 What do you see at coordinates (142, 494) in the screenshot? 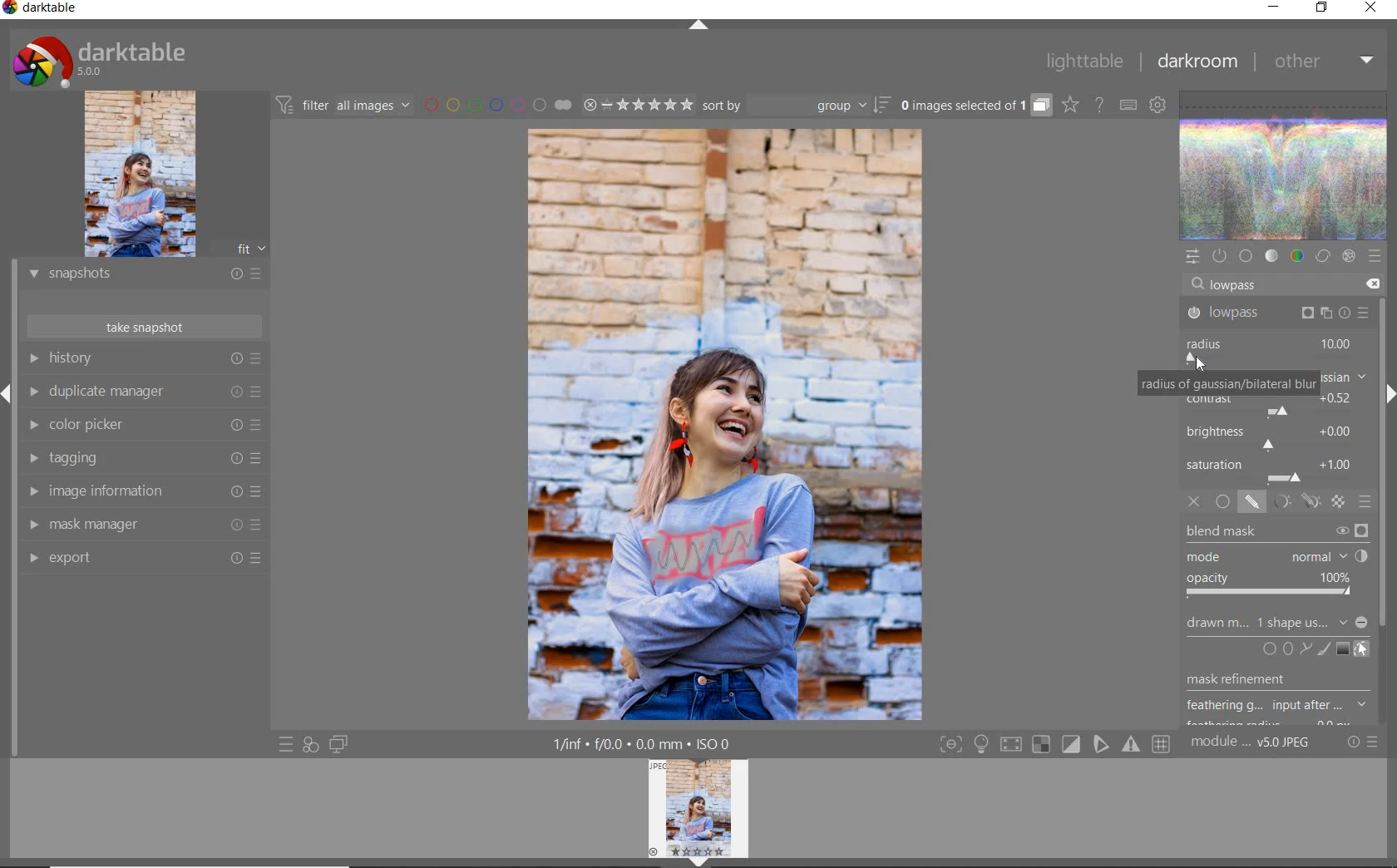
I see `image information` at bounding box center [142, 494].